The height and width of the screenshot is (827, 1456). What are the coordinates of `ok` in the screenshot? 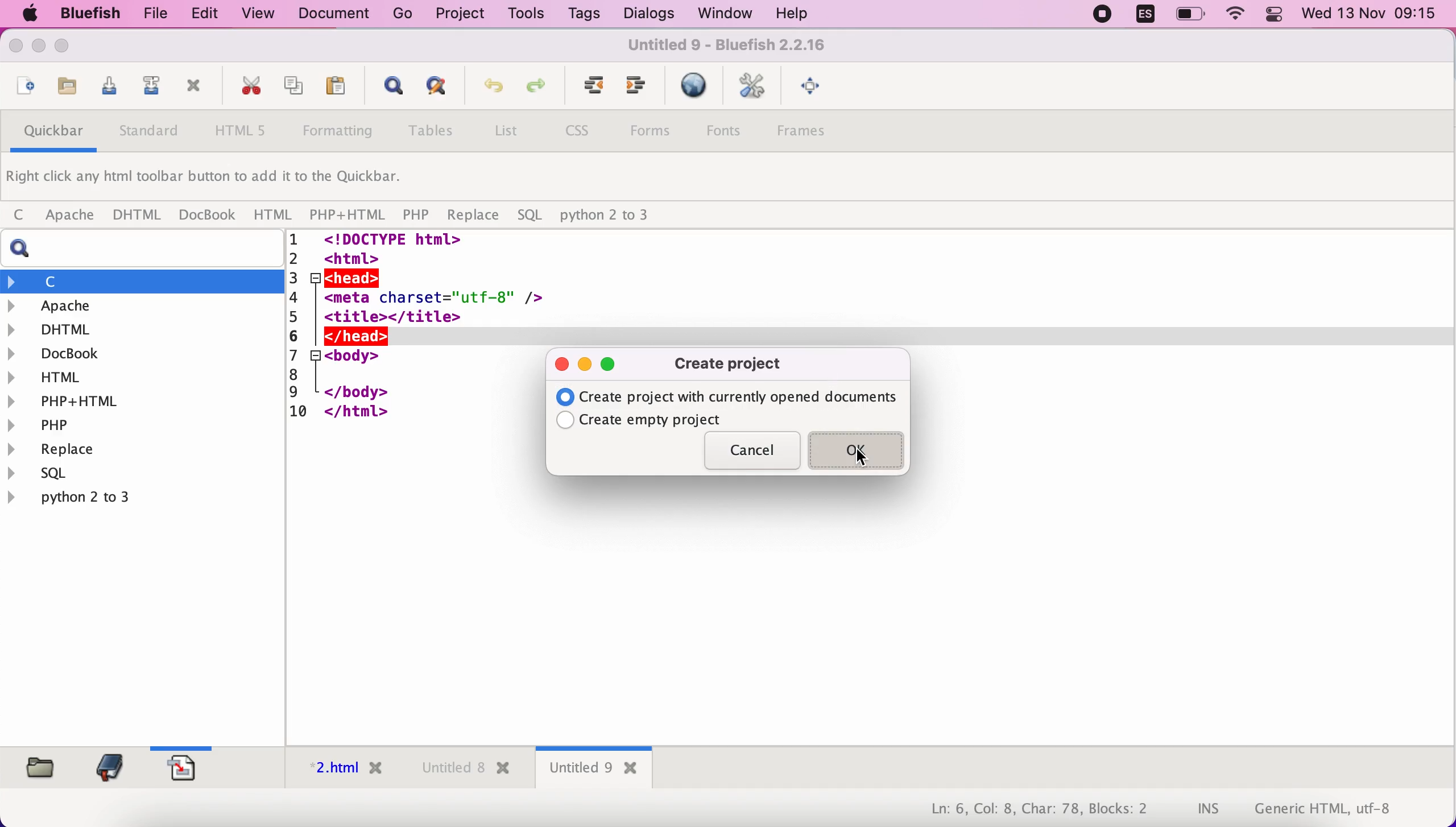 It's located at (859, 450).